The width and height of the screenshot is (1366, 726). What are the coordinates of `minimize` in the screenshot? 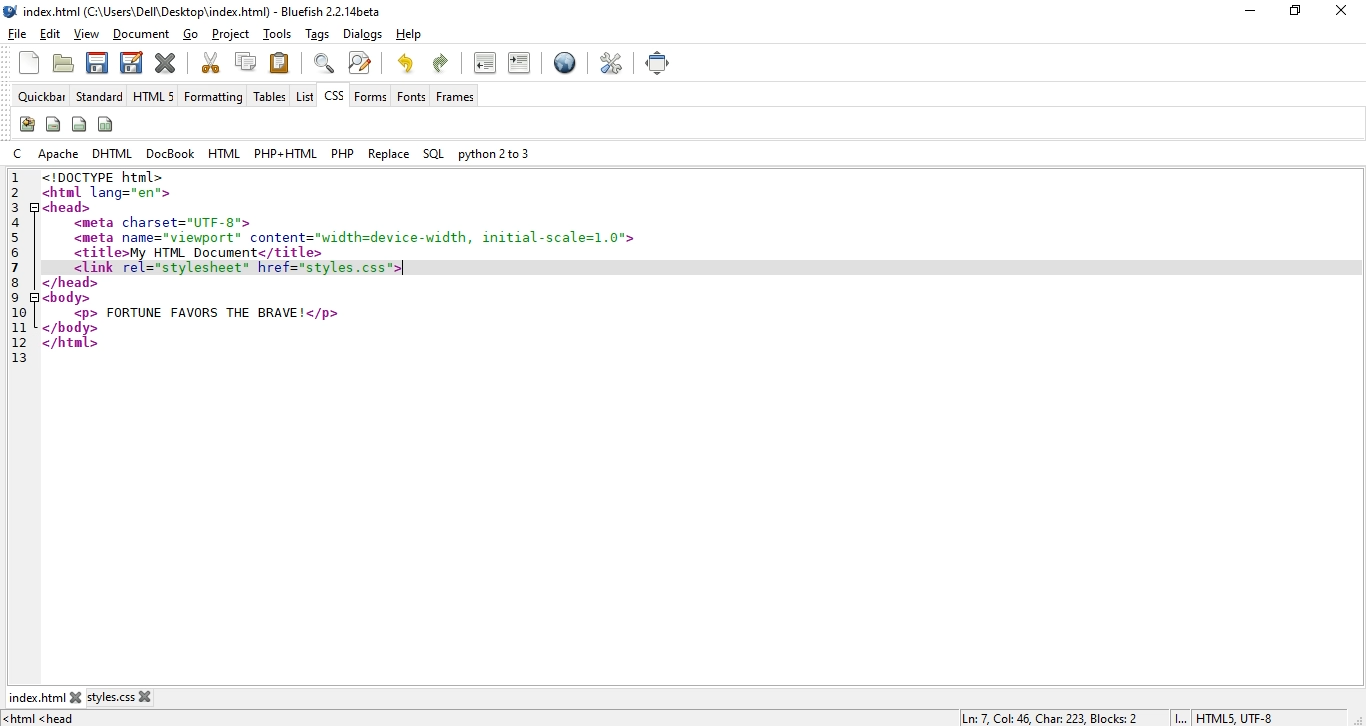 It's located at (1246, 11).